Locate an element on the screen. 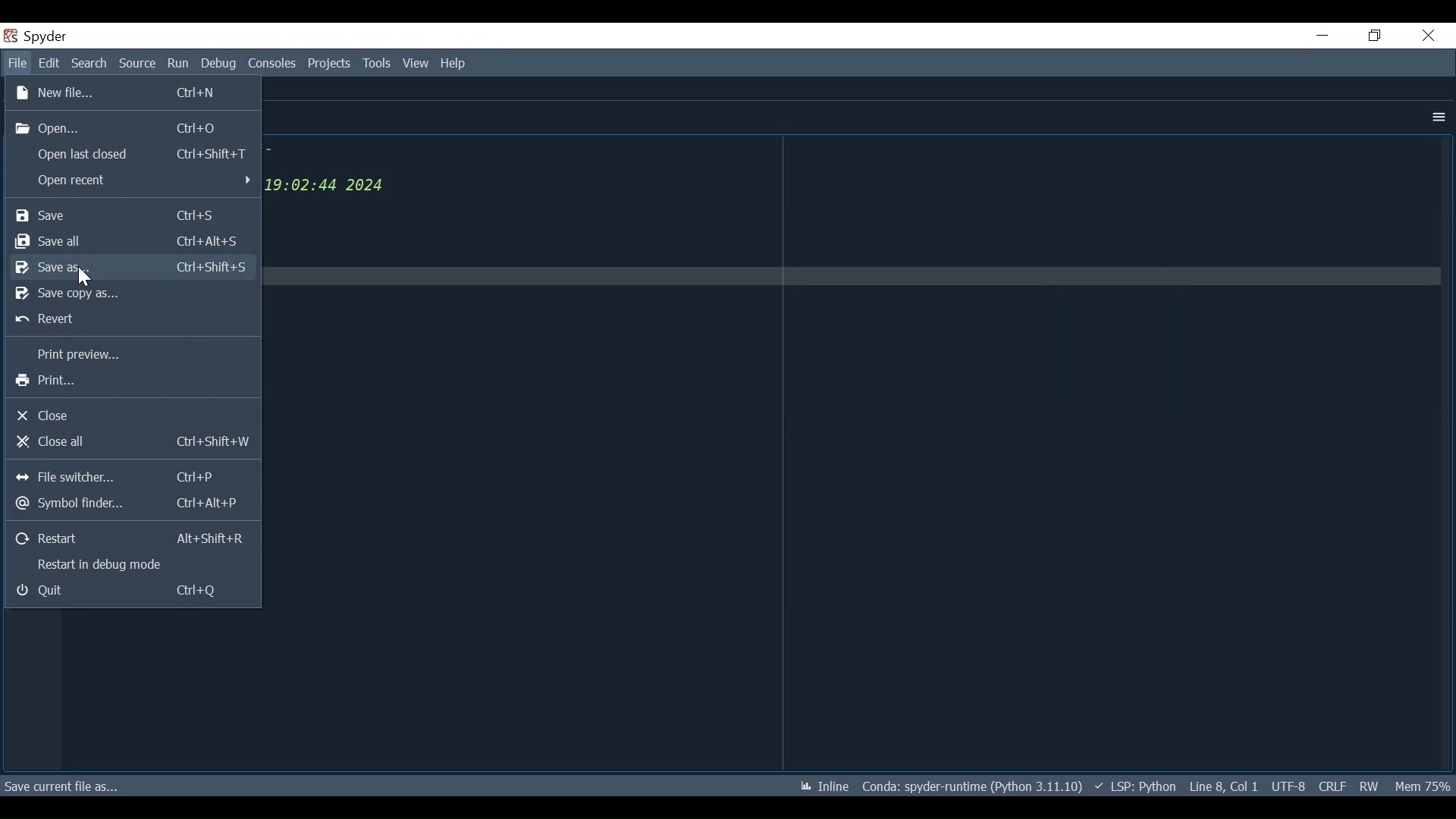 Image resolution: width=1456 pixels, height=819 pixels. File Switcher is located at coordinates (133, 475).